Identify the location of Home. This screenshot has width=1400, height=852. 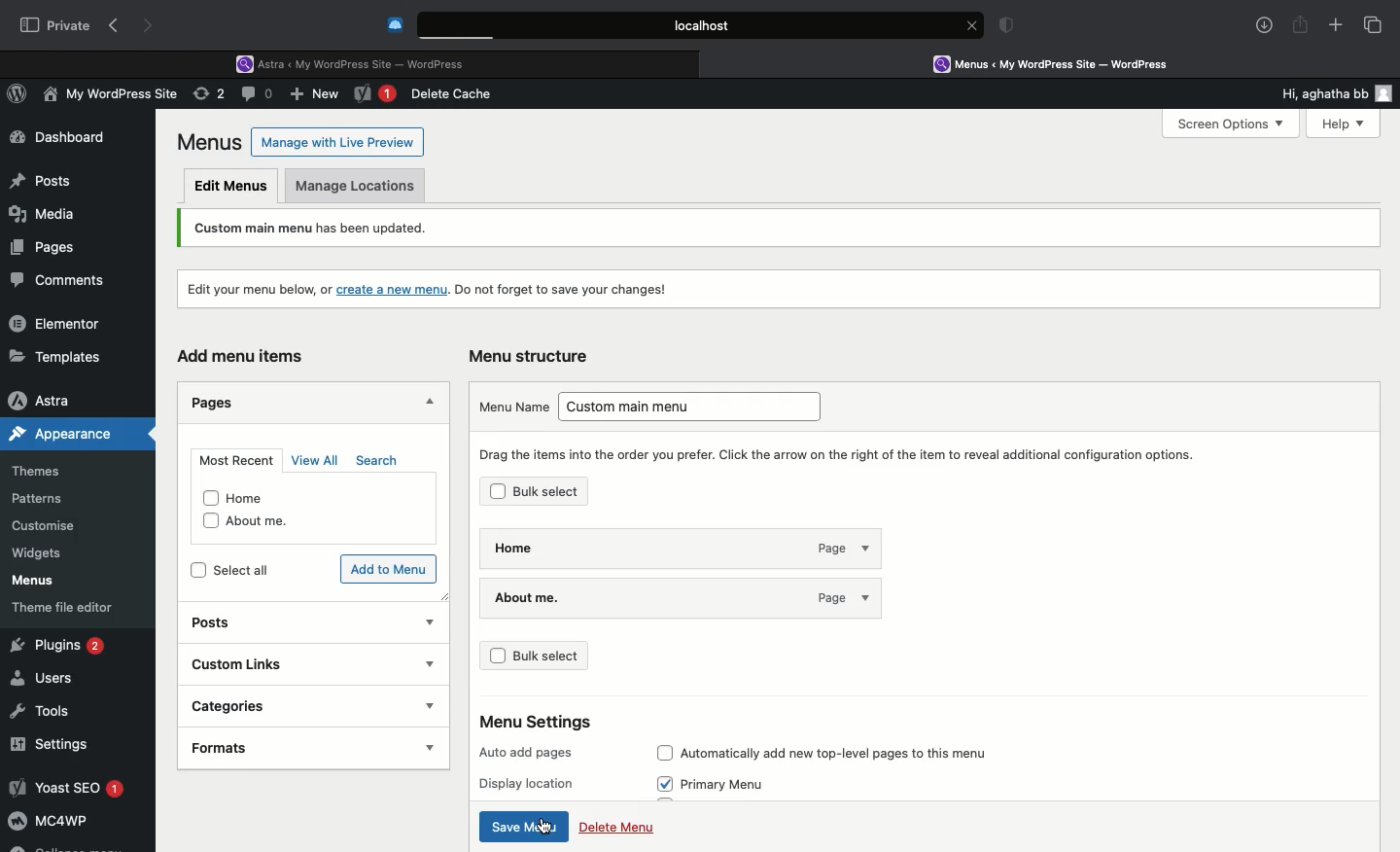
(259, 497).